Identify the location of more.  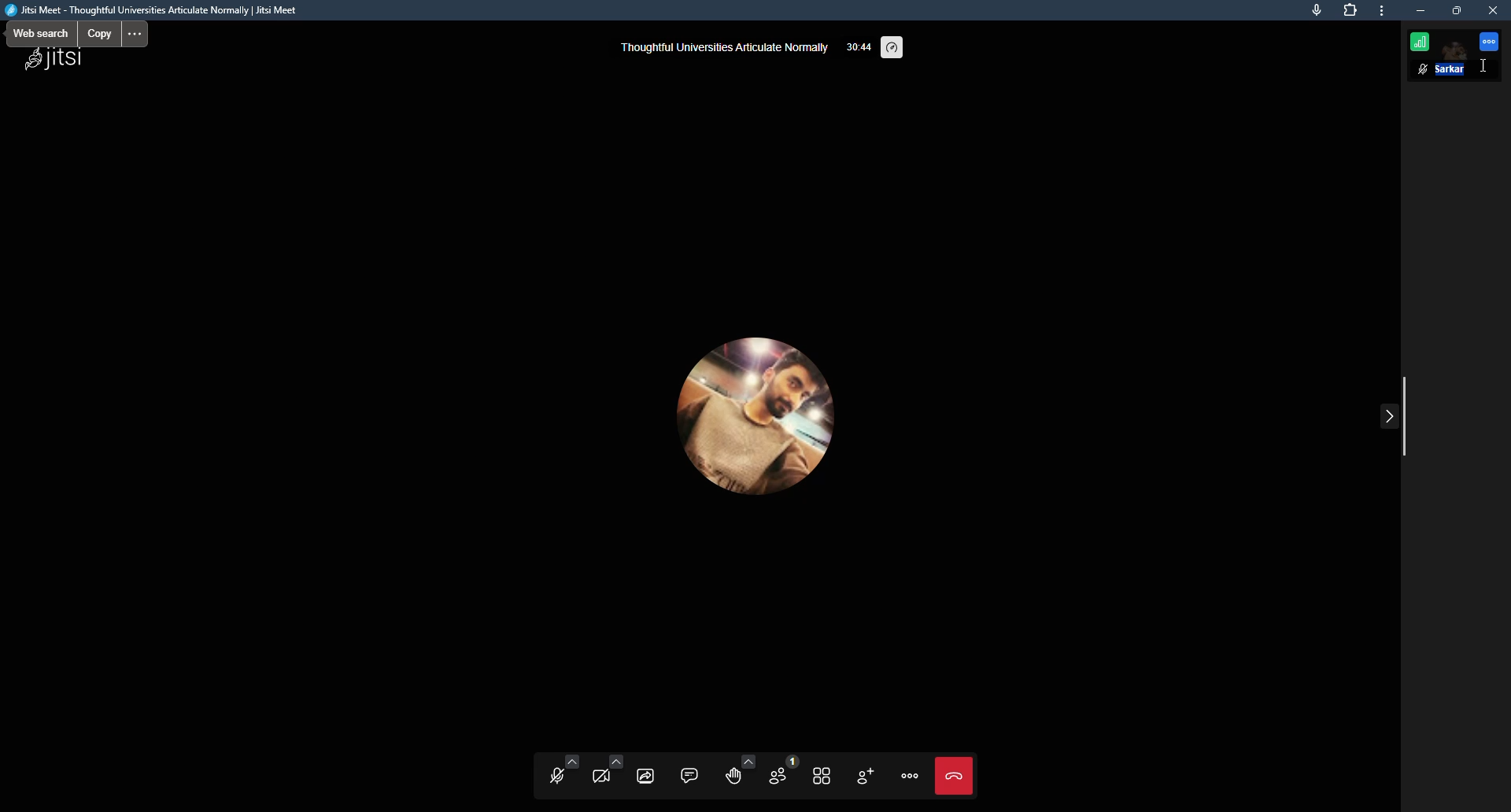
(1488, 41).